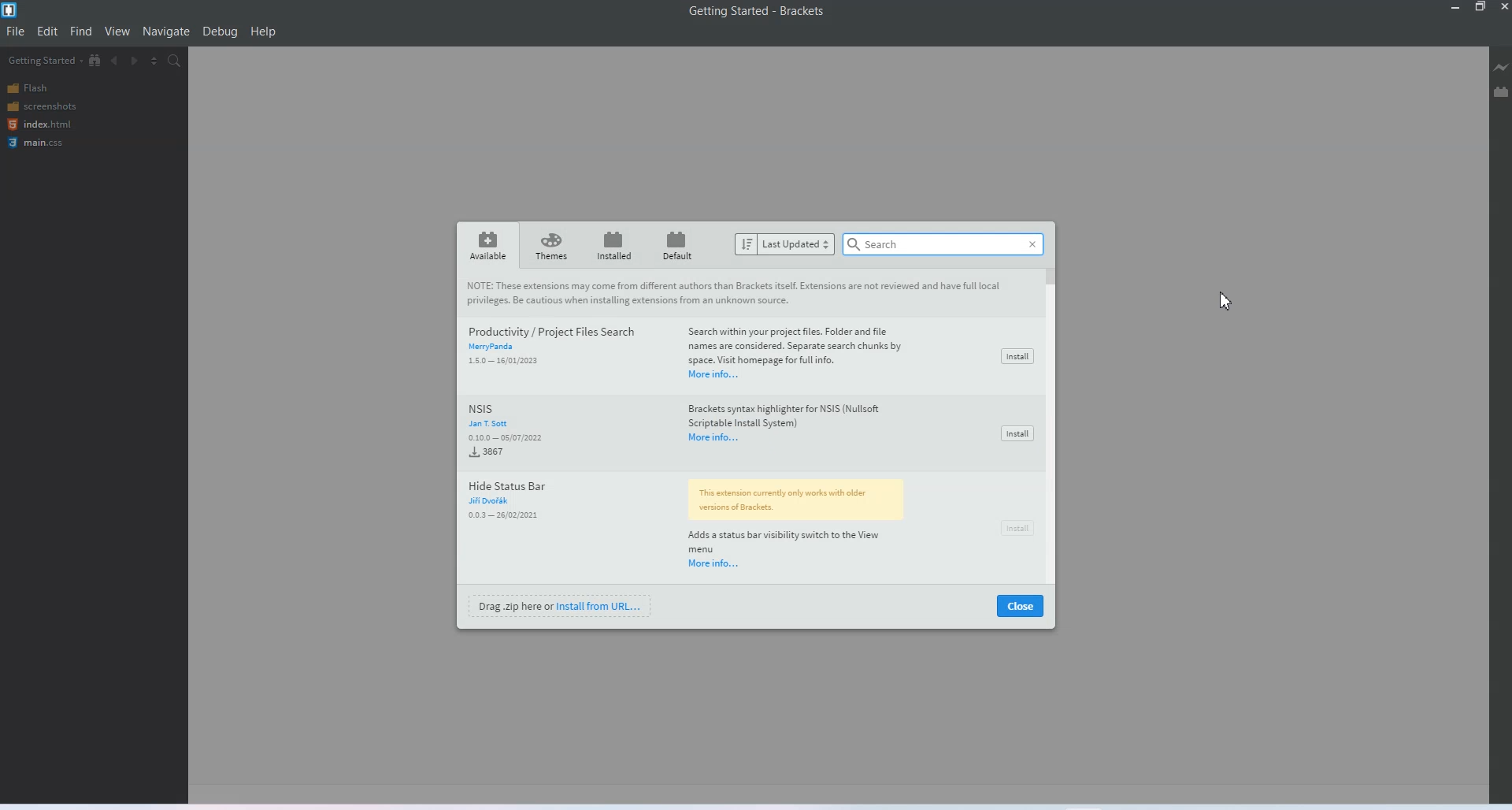 The width and height of the screenshot is (1512, 810). I want to click on Productivity / Project Files Search
MeryPanda
150 16/01/2023, so click(555, 346).